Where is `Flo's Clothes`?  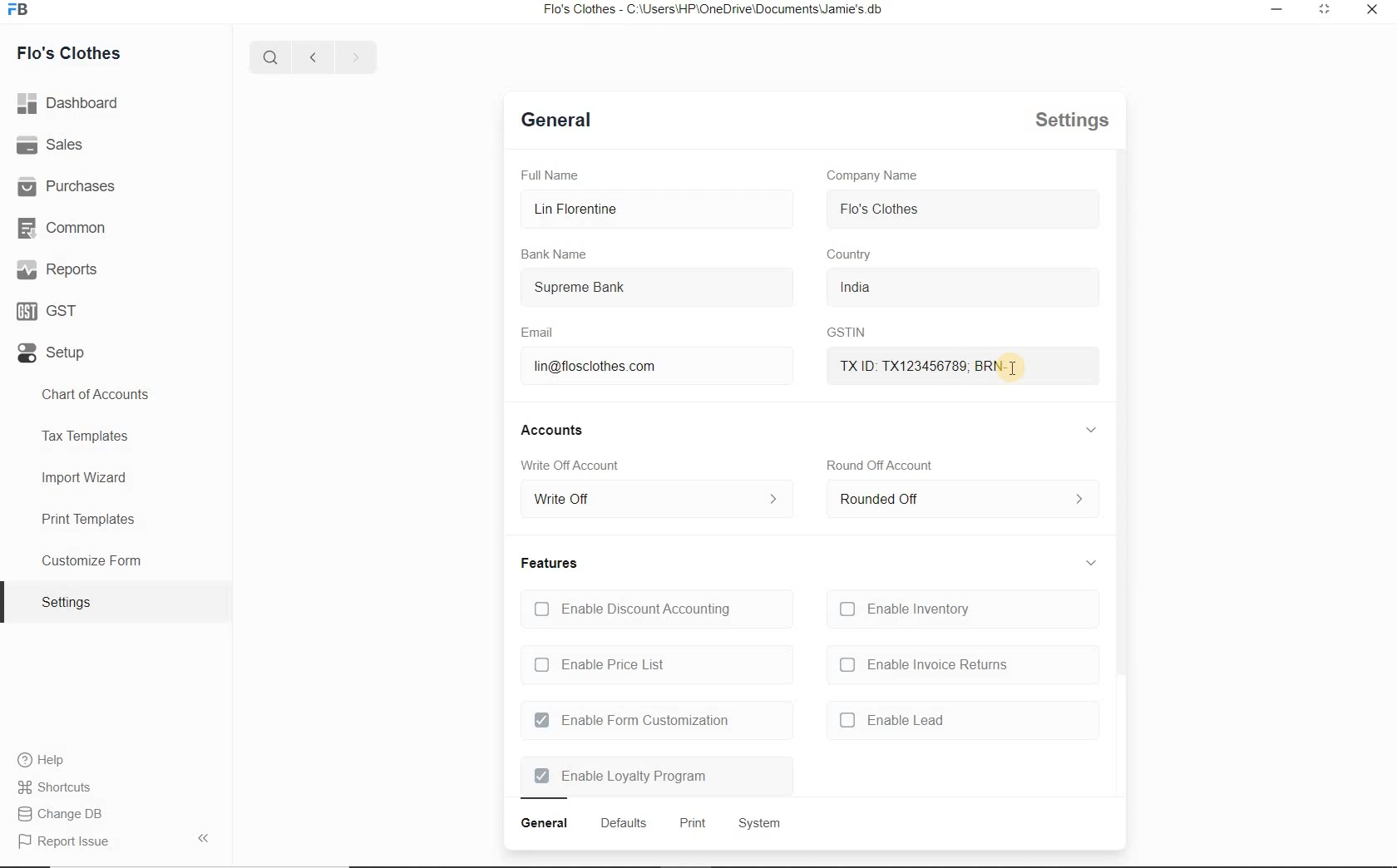
Flo's Clothes is located at coordinates (72, 52).